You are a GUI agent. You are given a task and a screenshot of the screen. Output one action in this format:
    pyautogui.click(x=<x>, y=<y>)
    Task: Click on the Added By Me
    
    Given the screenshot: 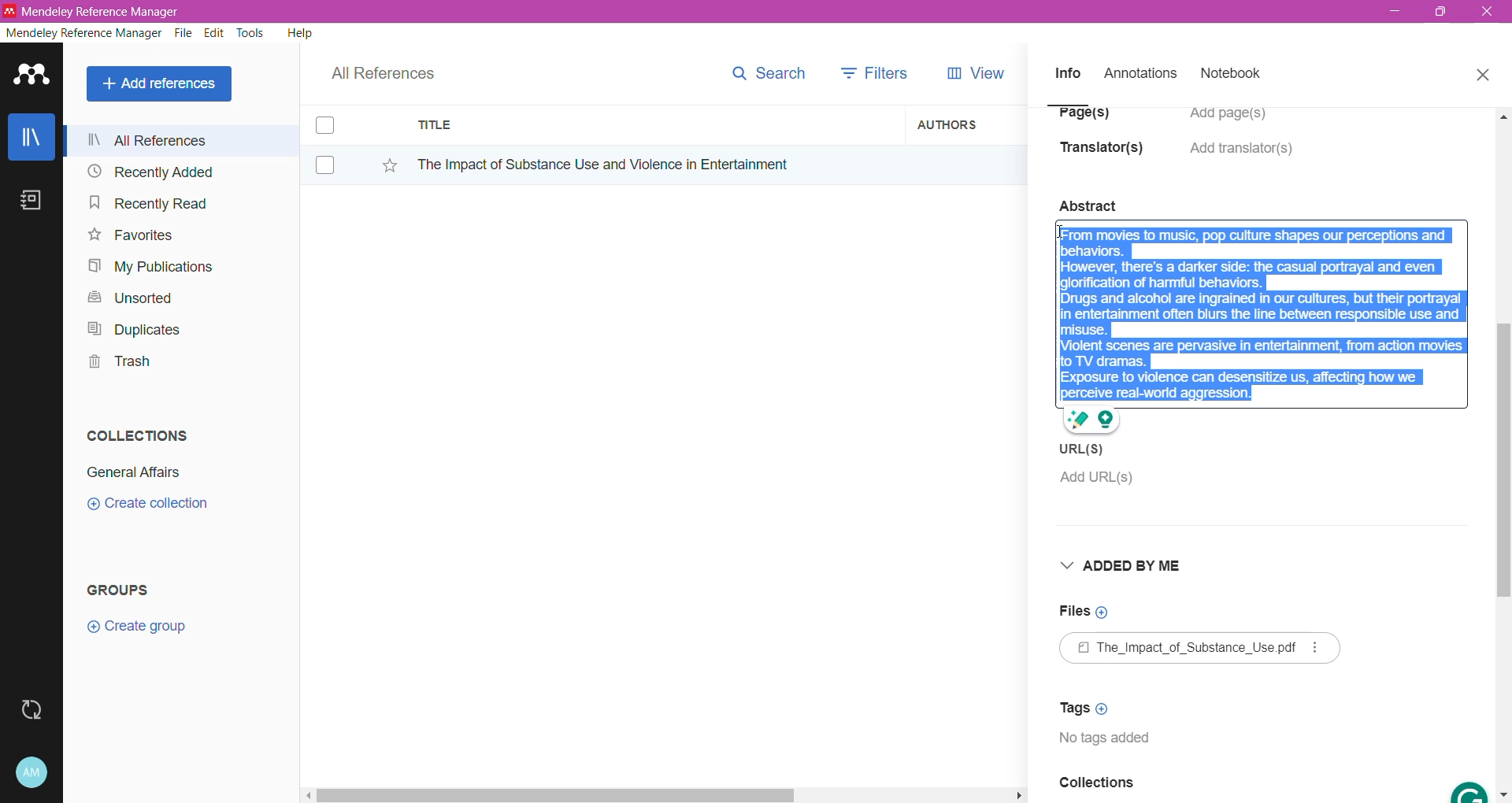 What is the action you would take?
    pyautogui.click(x=1127, y=568)
    